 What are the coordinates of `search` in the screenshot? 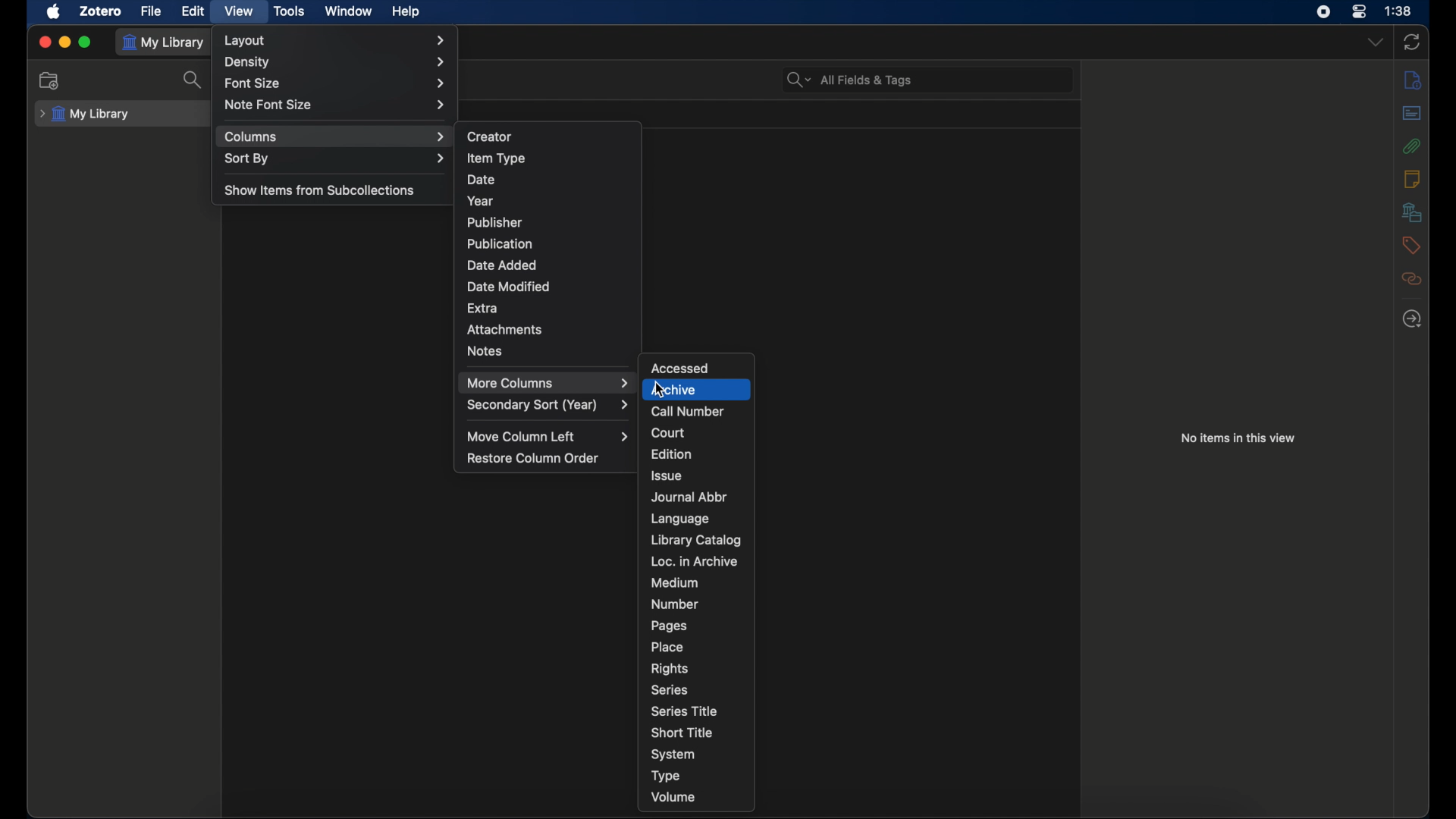 It's located at (194, 80).